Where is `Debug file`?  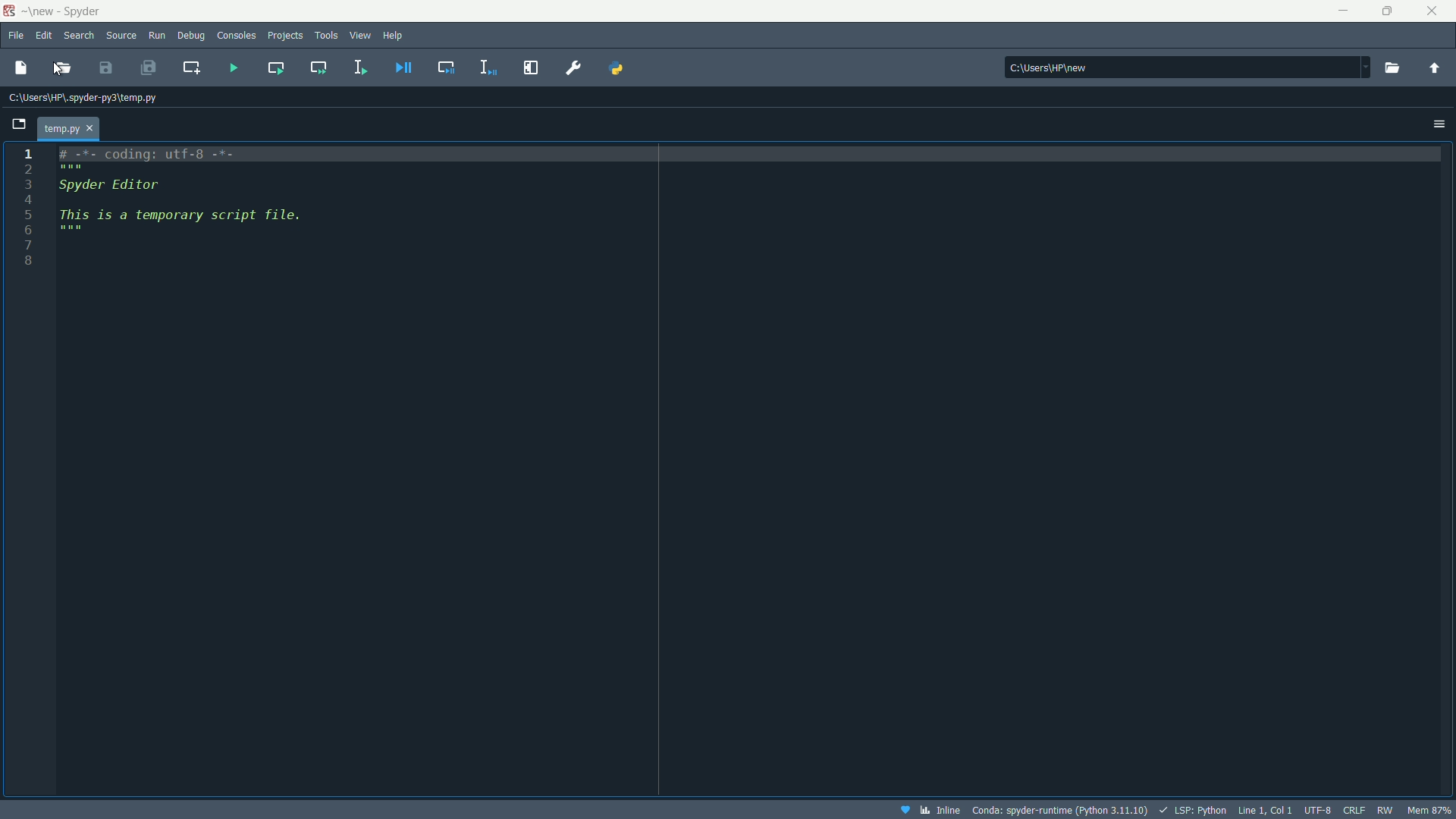 Debug file is located at coordinates (403, 68).